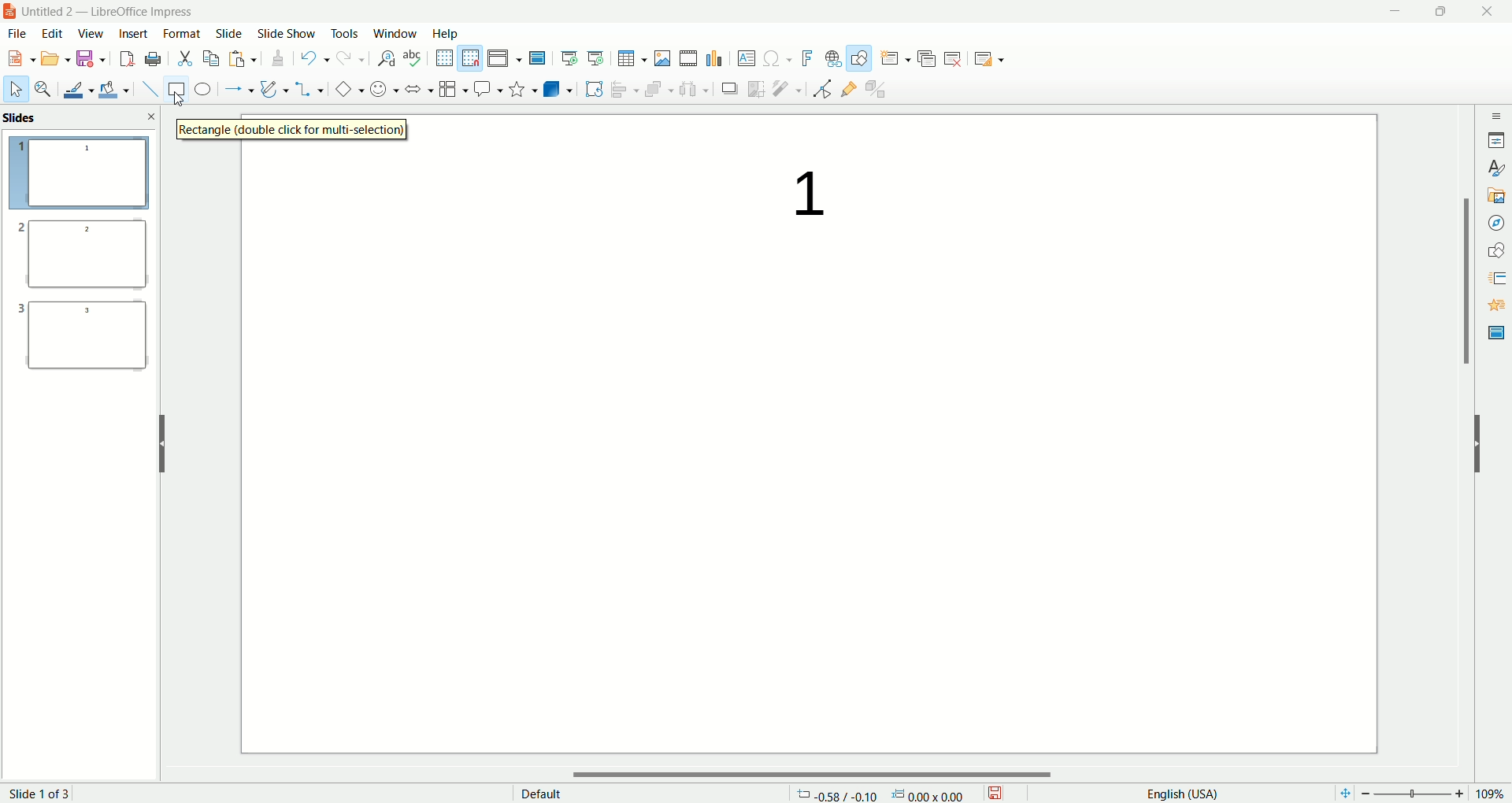  What do you see at coordinates (1466, 438) in the screenshot?
I see `vertical scroll bar` at bounding box center [1466, 438].